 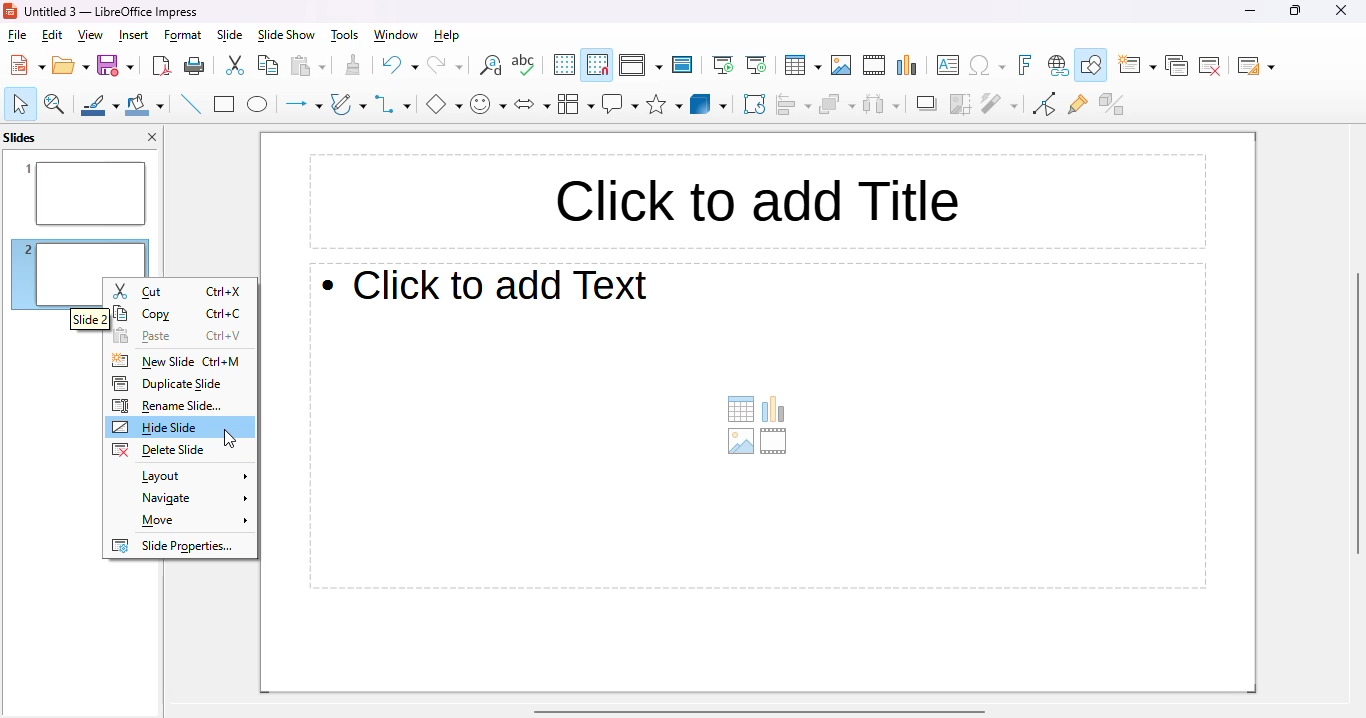 What do you see at coordinates (71, 66) in the screenshot?
I see `open` at bounding box center [71, 66].